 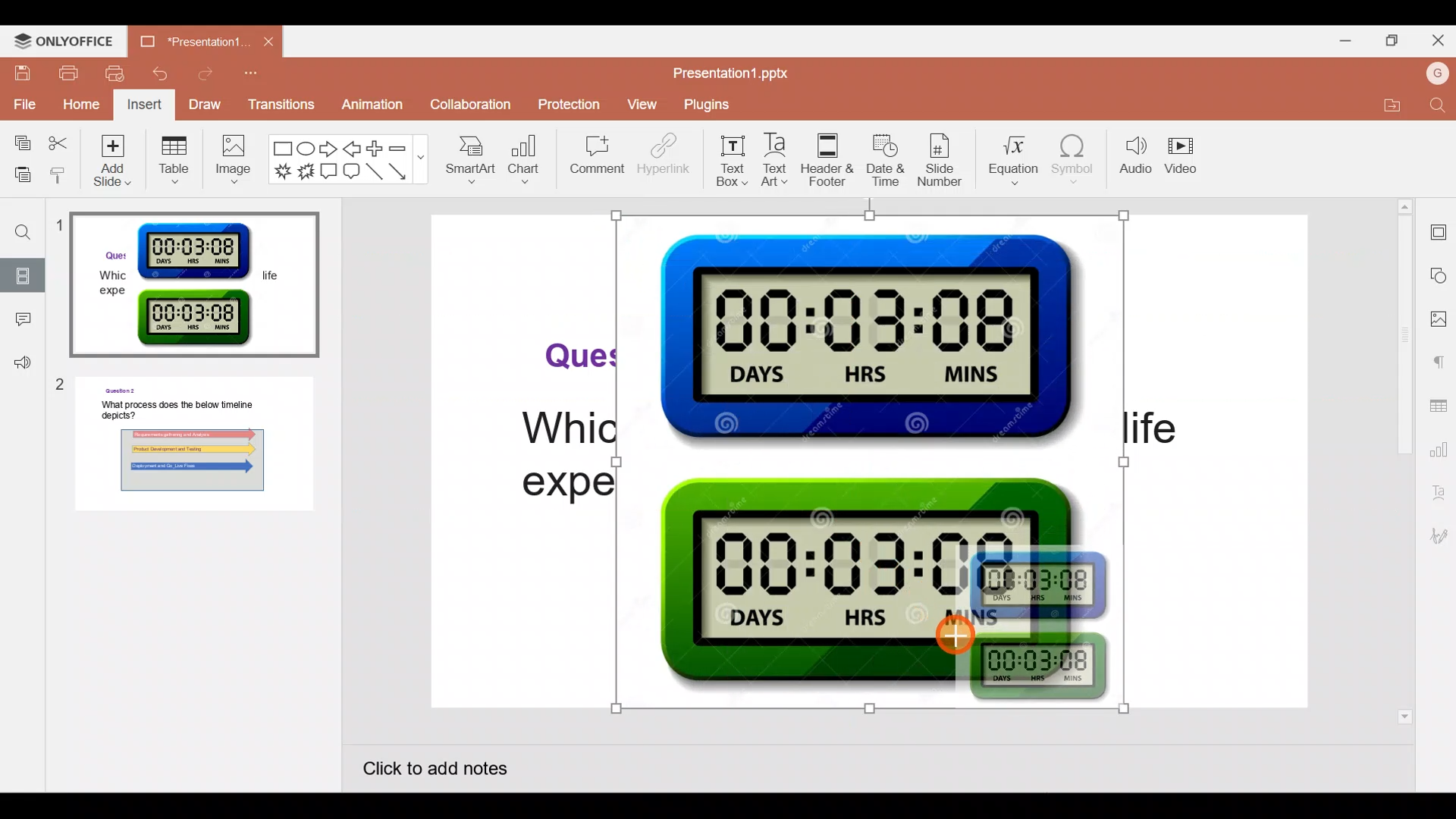 What do you see at coordinates (1439, 275) in the screenshot?
I see `Shape settings` at bounding box center [1439, 275].